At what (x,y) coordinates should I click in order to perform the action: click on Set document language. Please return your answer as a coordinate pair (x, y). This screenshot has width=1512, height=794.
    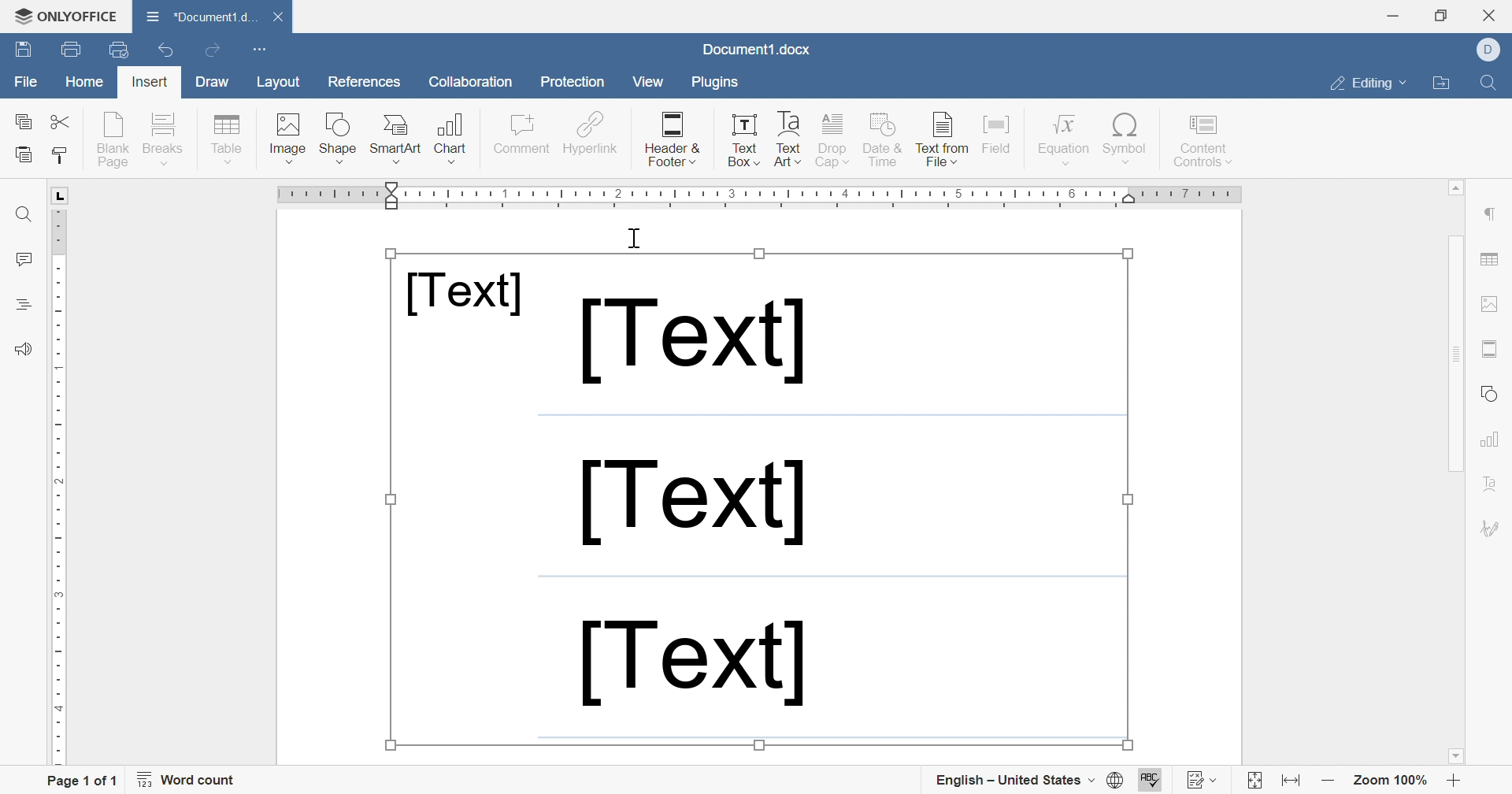
    Looking at the image, I should click on (1116, 779).